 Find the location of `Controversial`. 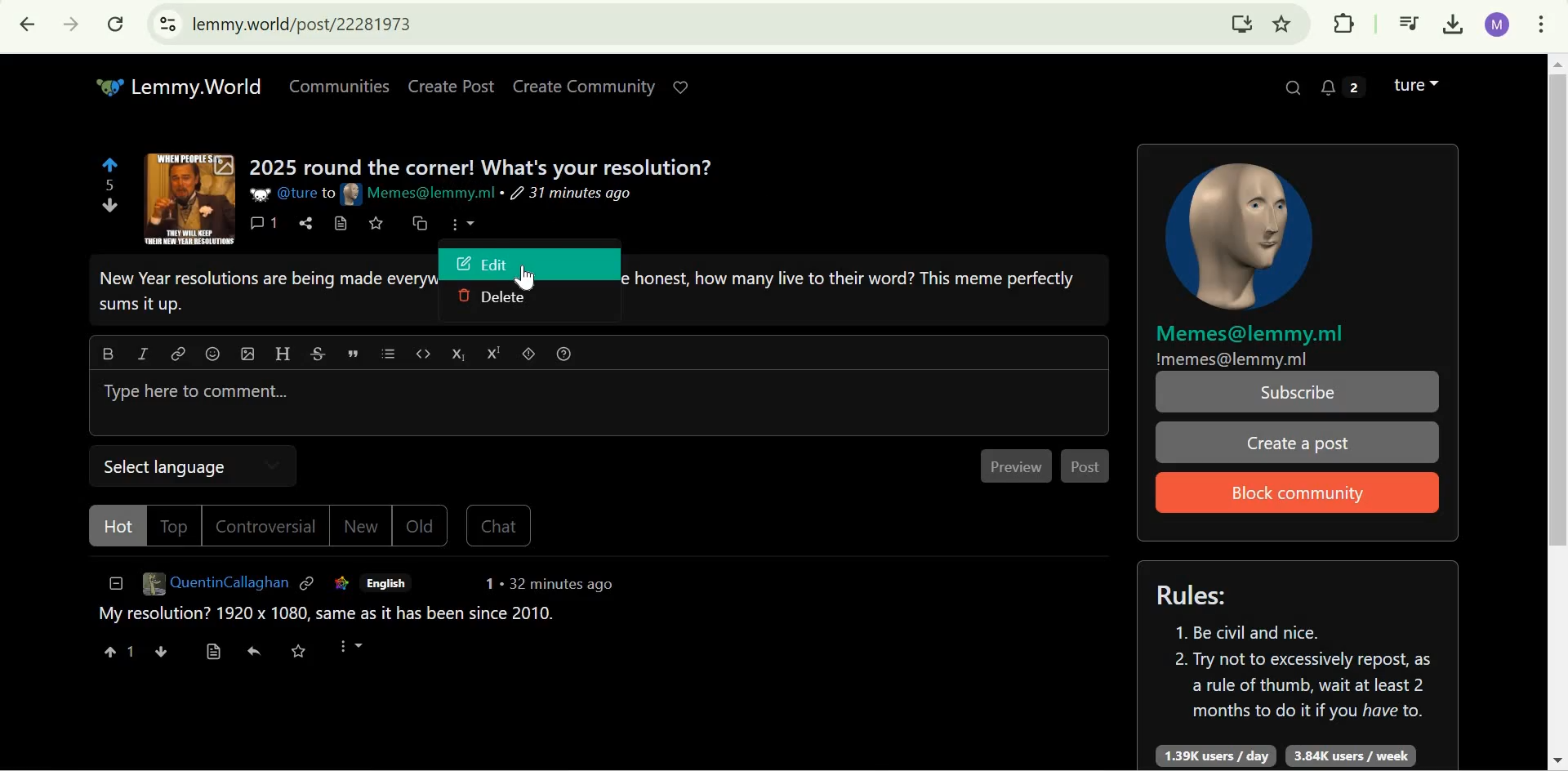

Controversial is located at coordinates (272, 525).